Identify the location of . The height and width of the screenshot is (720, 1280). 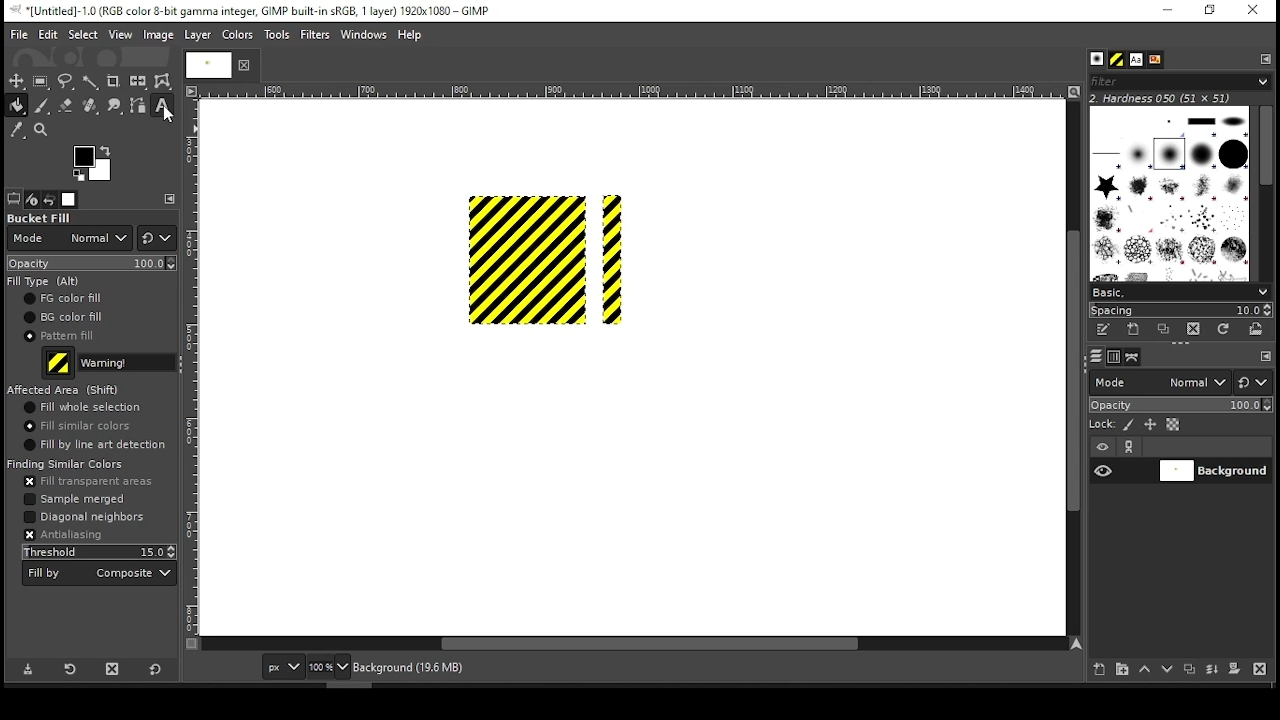
(205, 64).